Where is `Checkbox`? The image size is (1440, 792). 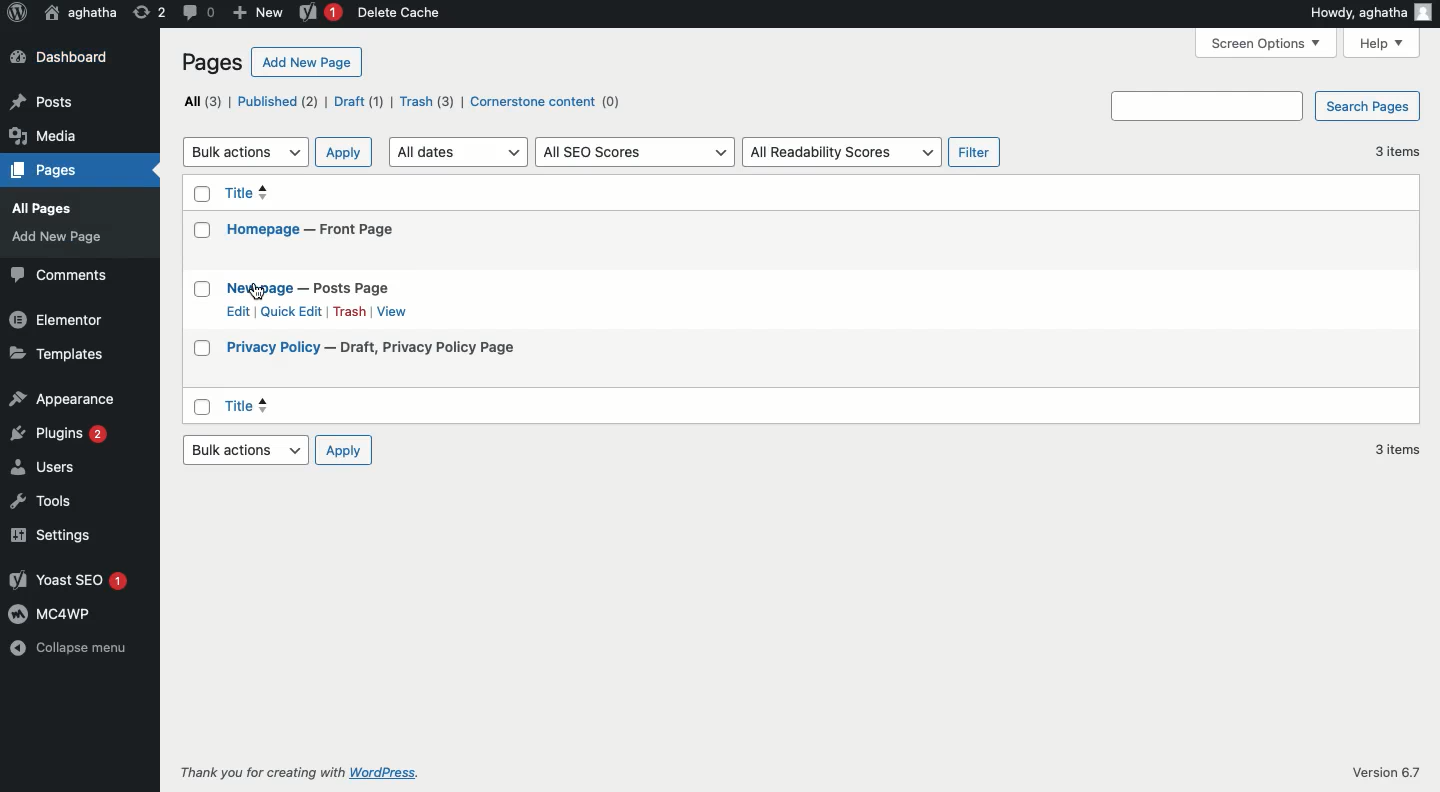 Checkbox is located at coordinates (200, 192).